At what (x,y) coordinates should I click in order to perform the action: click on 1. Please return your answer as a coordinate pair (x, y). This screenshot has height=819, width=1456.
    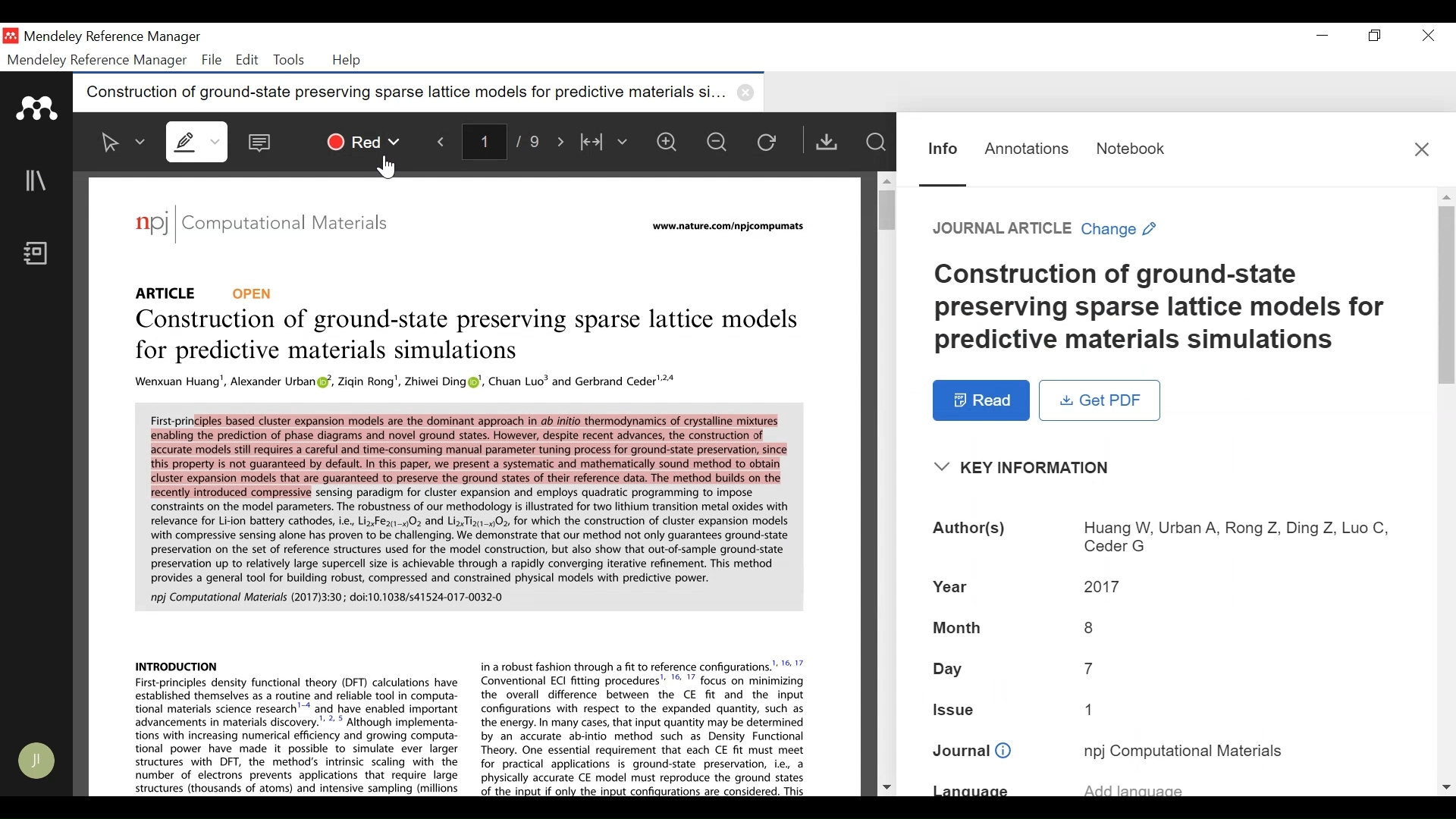
    Looking at the image, I should click on (1092, 709).